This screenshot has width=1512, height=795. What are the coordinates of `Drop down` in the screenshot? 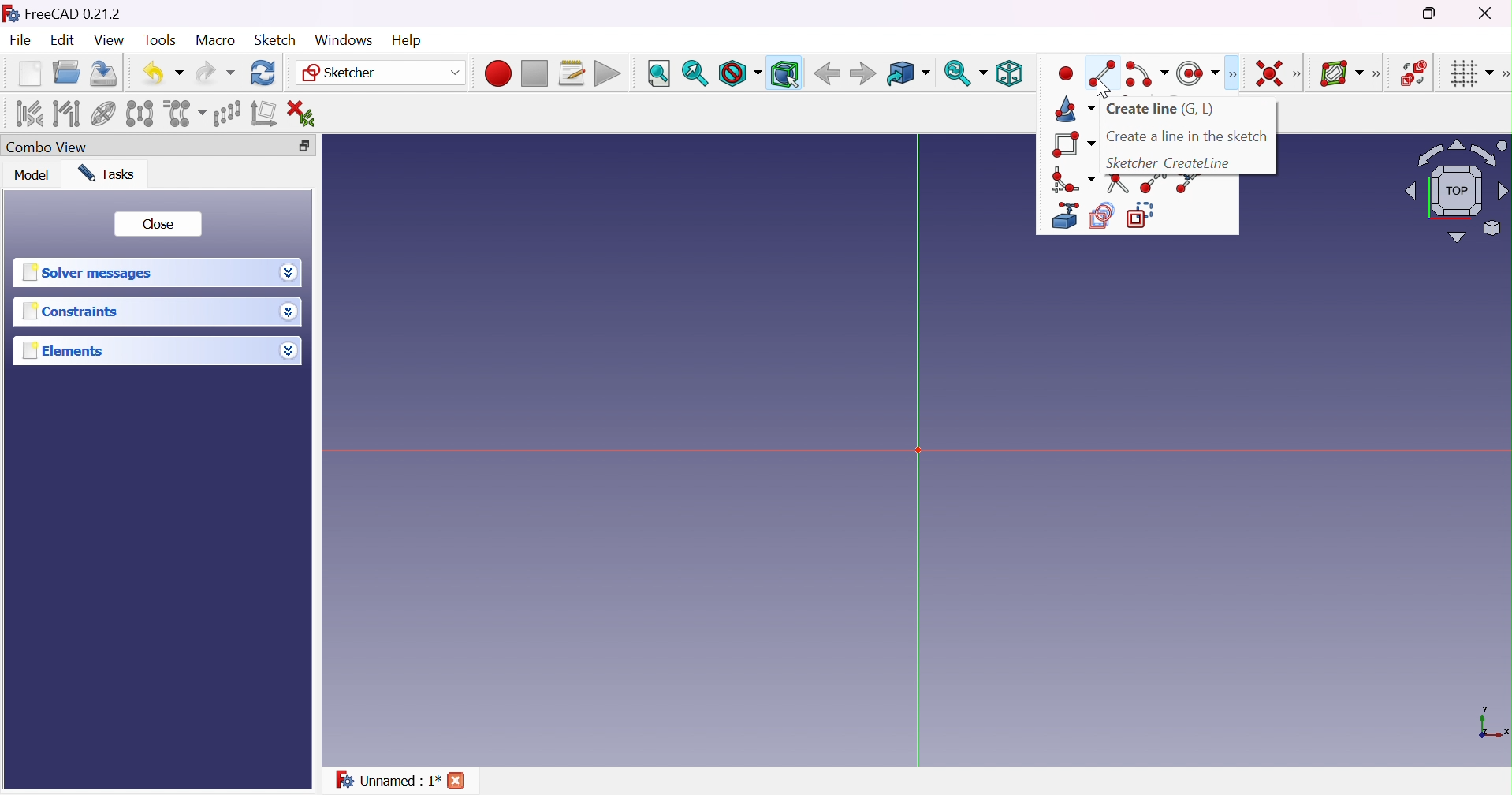 It's located at (289, 312).